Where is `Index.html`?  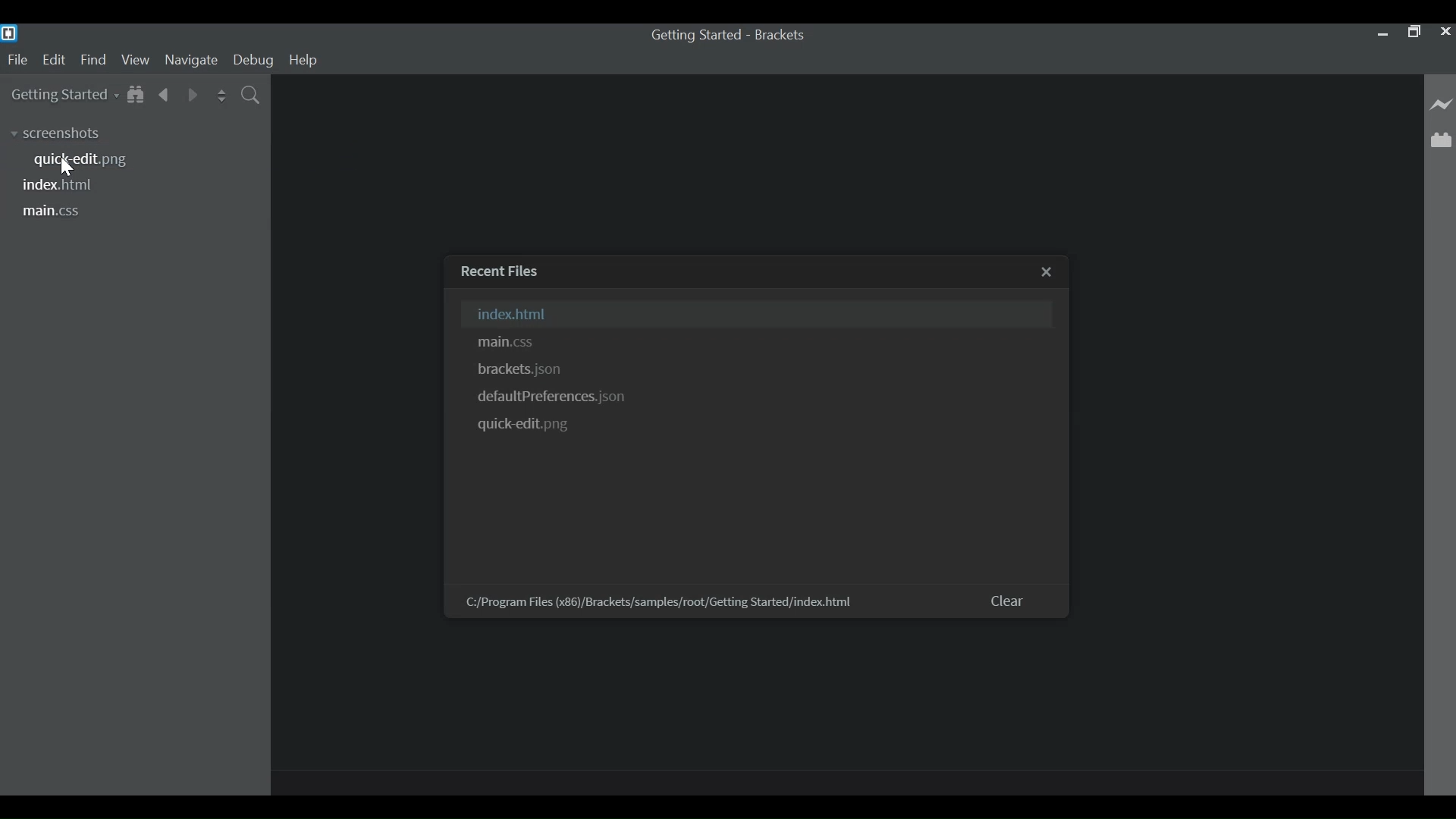 Index.html is located at coordinates (758, 313).